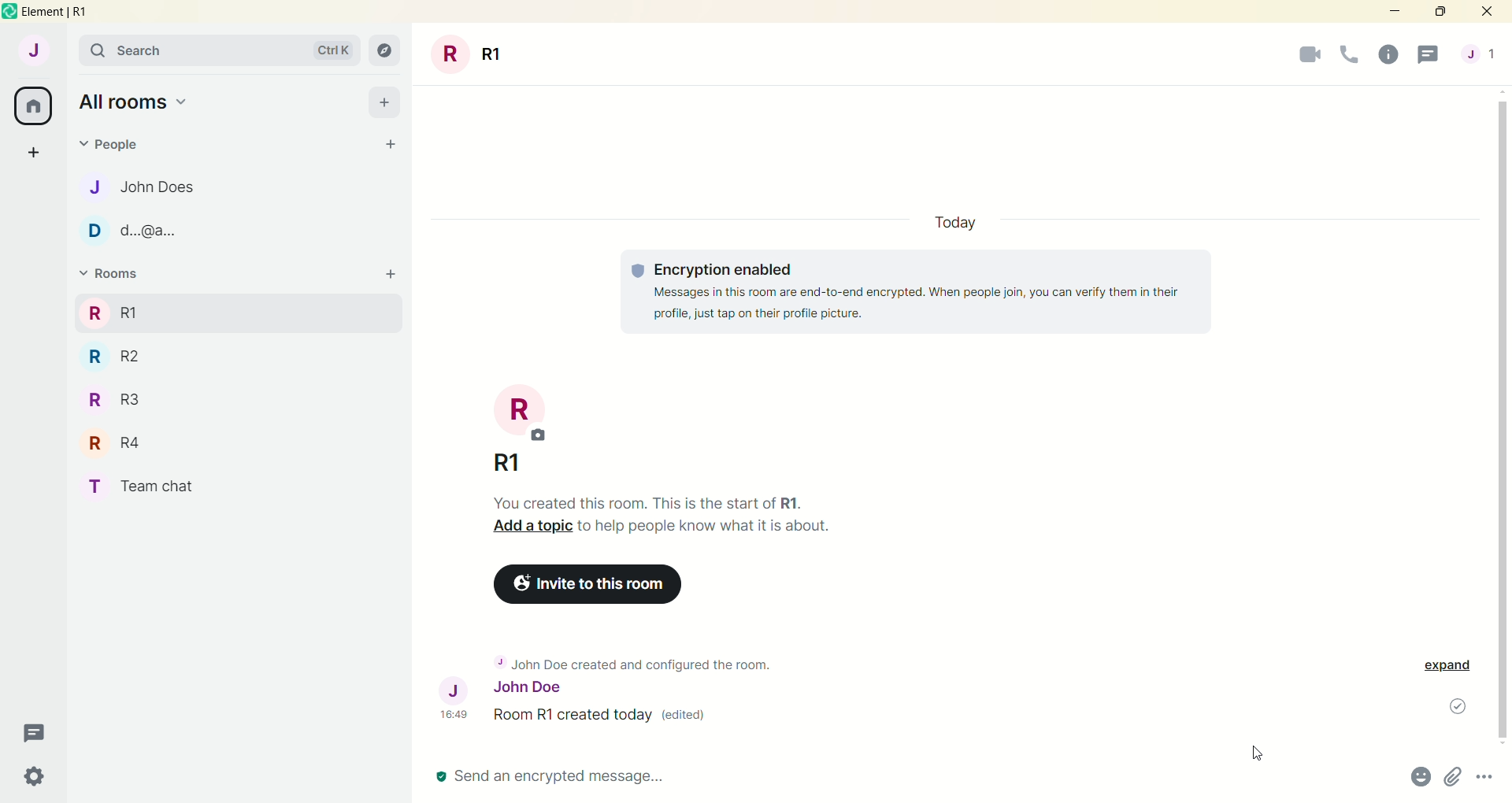  Describe the element at coordinates (39, 154) in the screenshot. I see `create a space` at that location.